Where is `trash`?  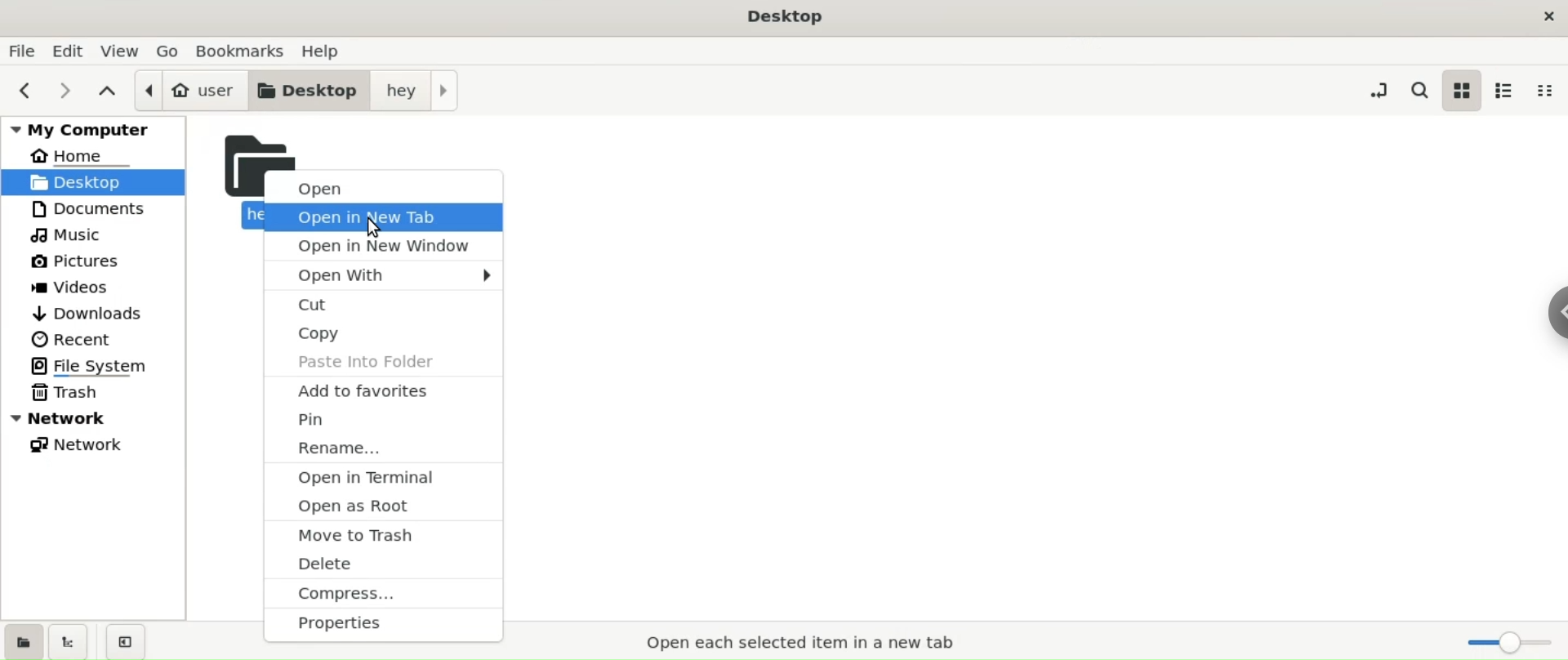 trash is located at coordinates (99, 393).